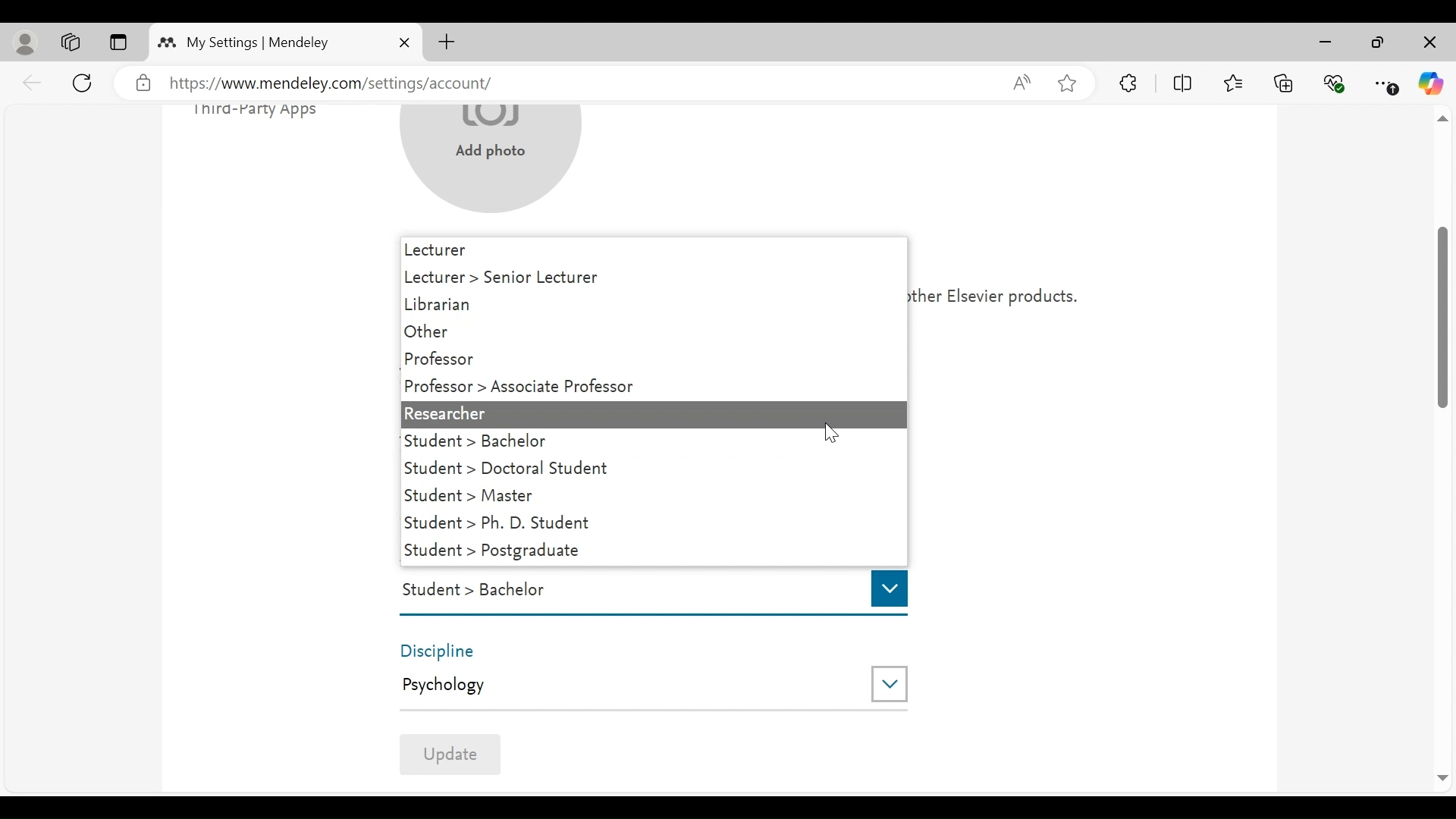  Describe the element at coordinates (118, 43) in the screenshot. I see `Tab Actions Menu` at that location.